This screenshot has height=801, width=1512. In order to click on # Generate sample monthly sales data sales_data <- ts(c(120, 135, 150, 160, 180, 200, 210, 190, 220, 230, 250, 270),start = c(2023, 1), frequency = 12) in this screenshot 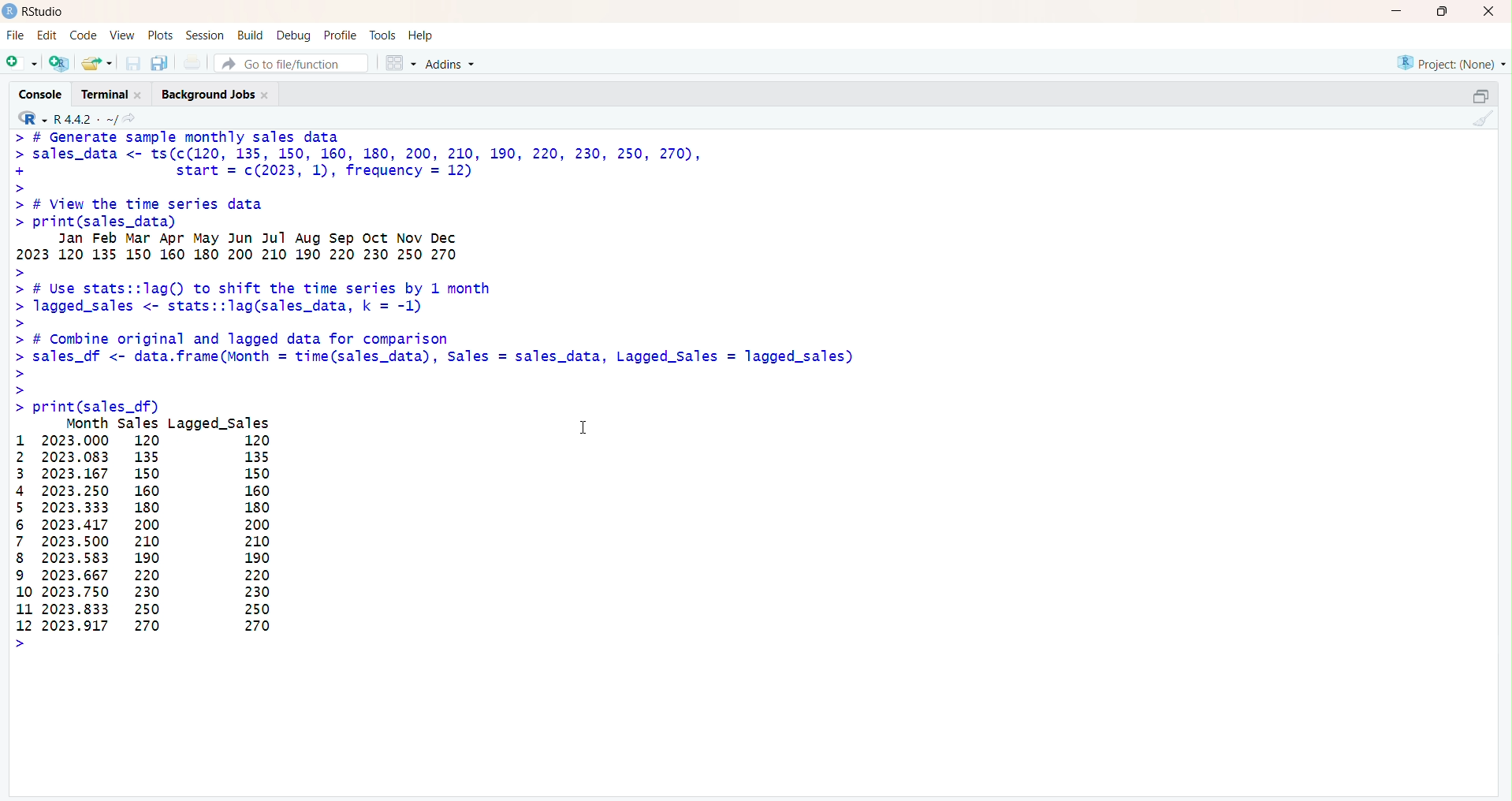, I will do `click(385, 161)`.